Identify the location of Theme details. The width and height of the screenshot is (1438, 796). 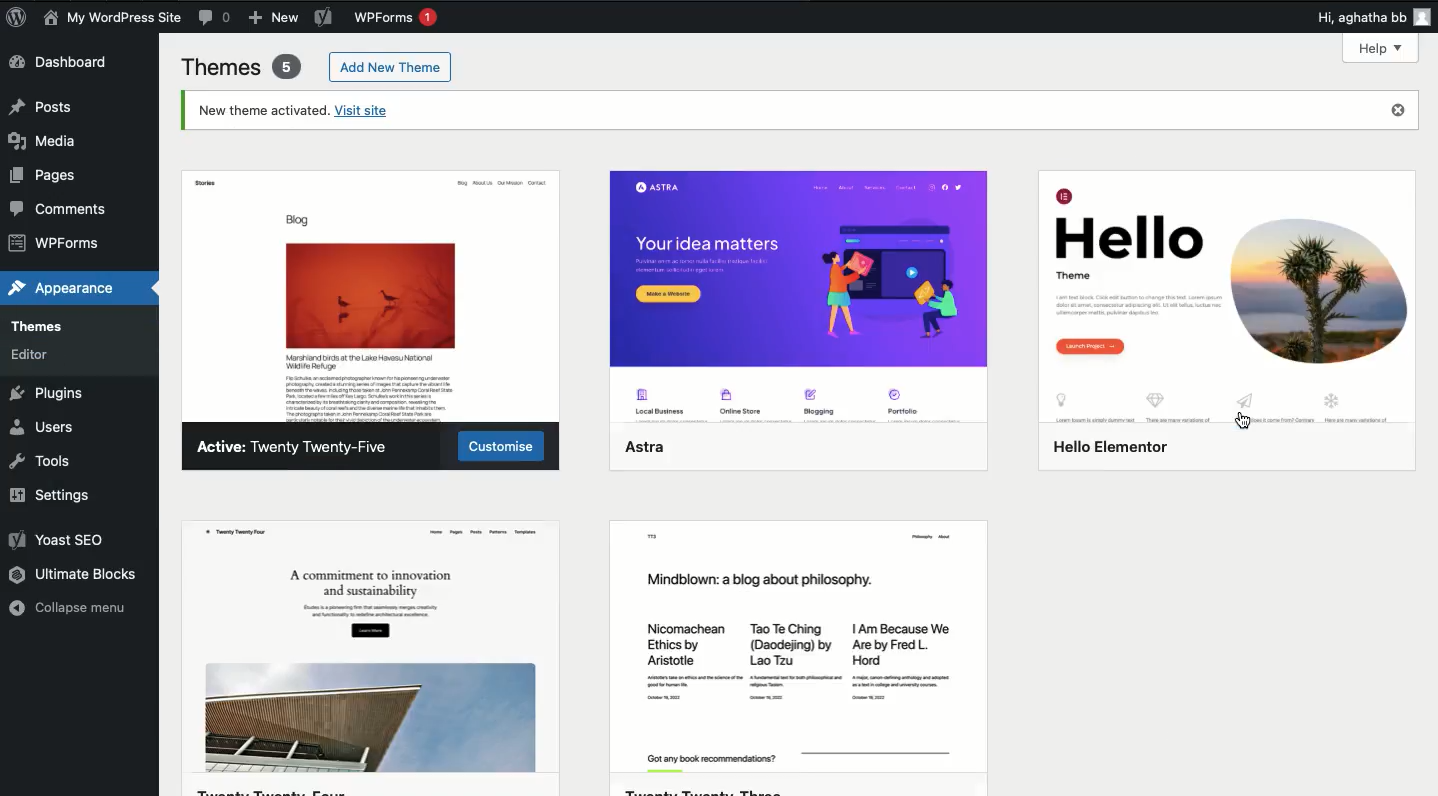
(1220, 303).